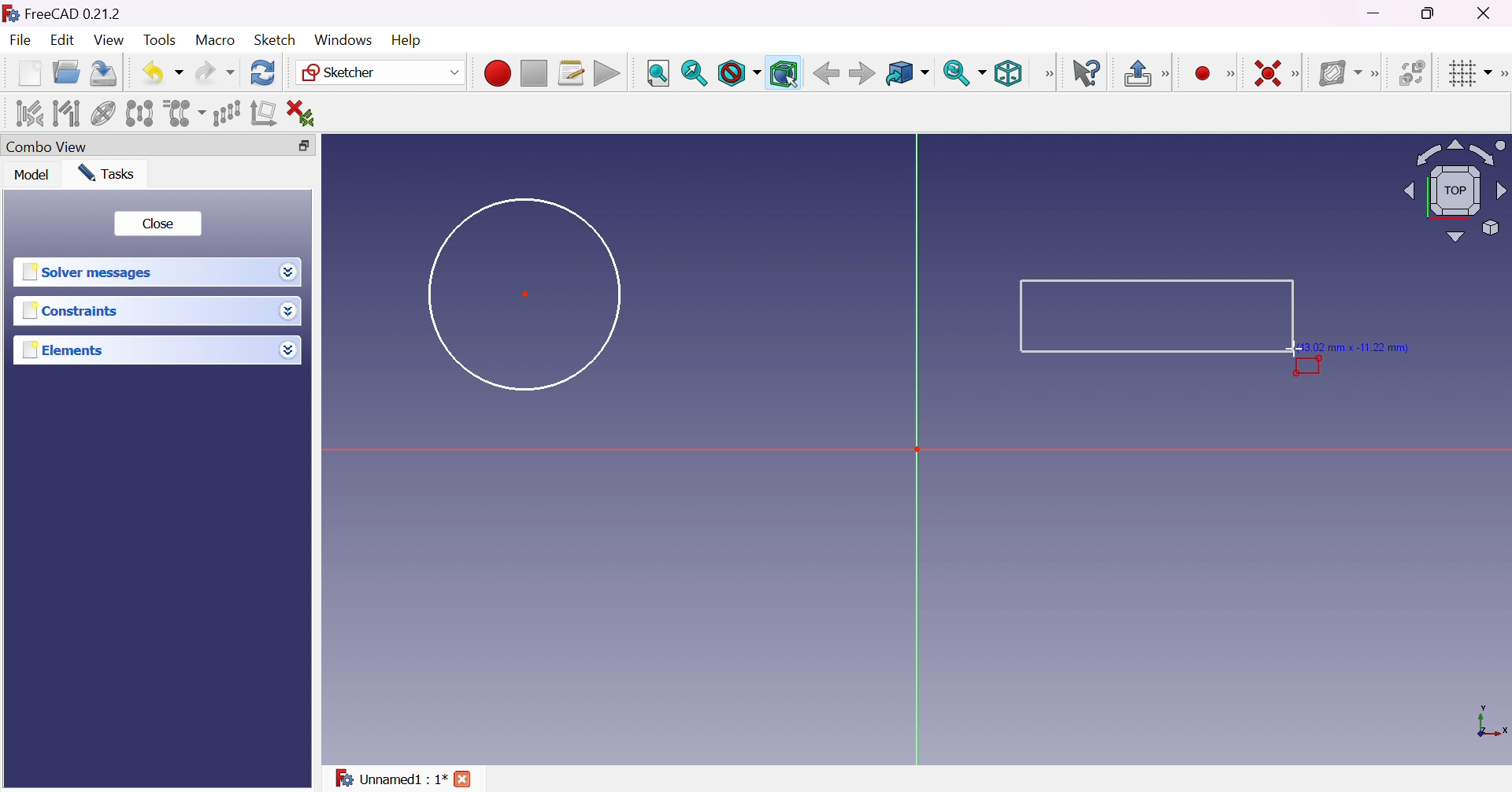 The width and height of the screenshot is (1512, 792). What do you see at coordinates (64, 42) in the screenshot?
I see `Edit` at bounding box center [64, 42].